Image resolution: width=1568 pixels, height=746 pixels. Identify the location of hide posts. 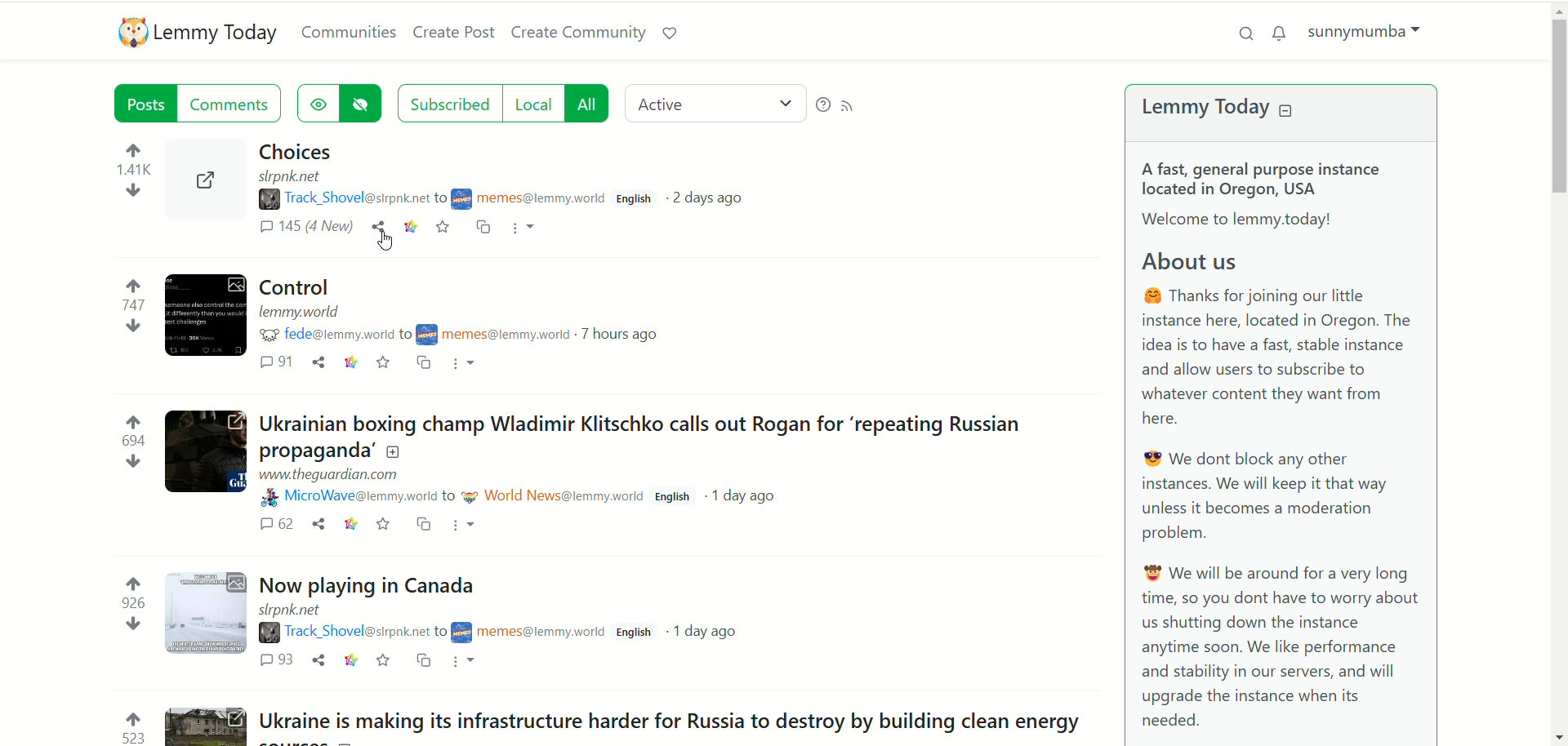
(362, 105).